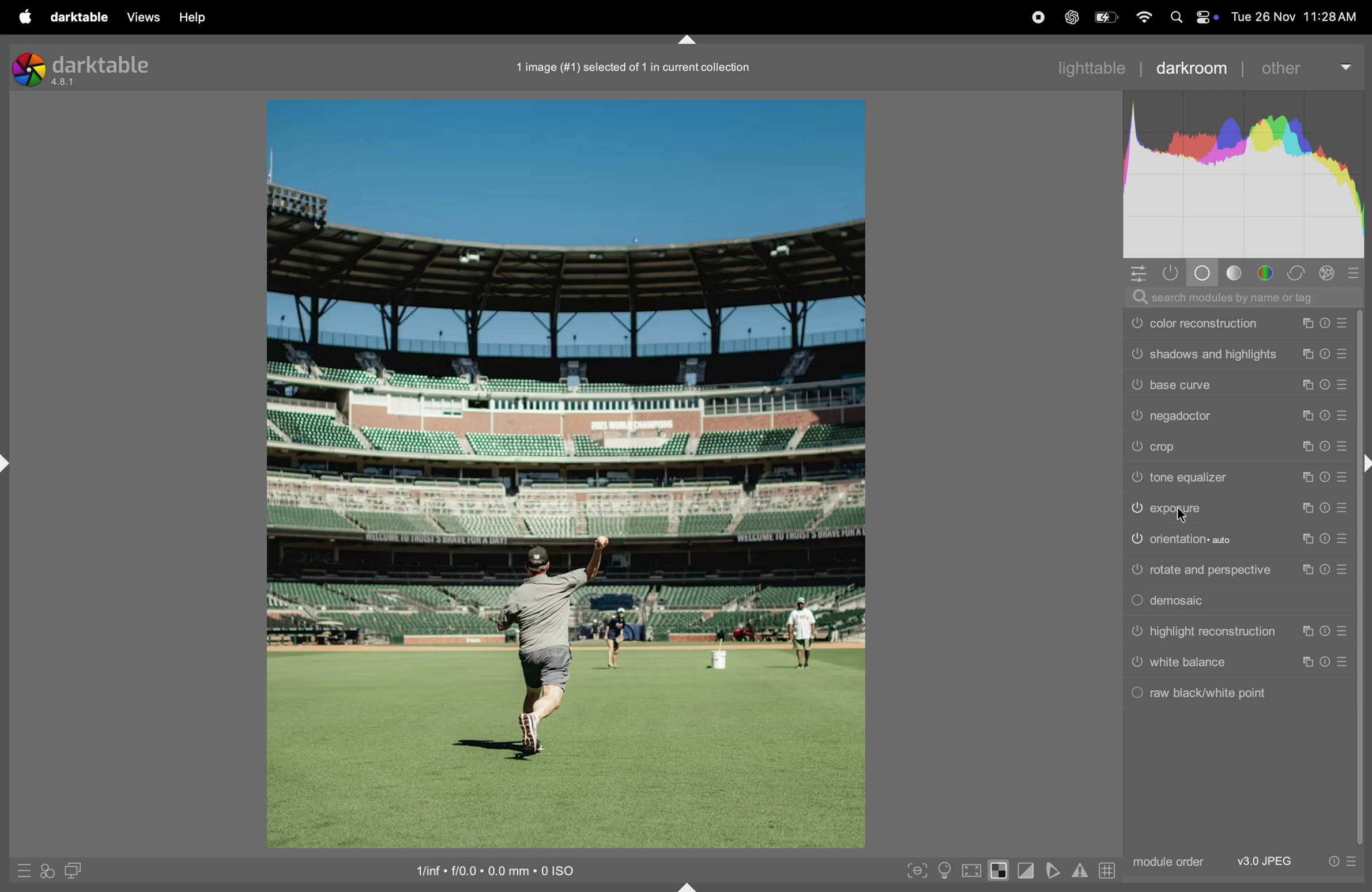  I want to click on Presets , so click(1344, 322).